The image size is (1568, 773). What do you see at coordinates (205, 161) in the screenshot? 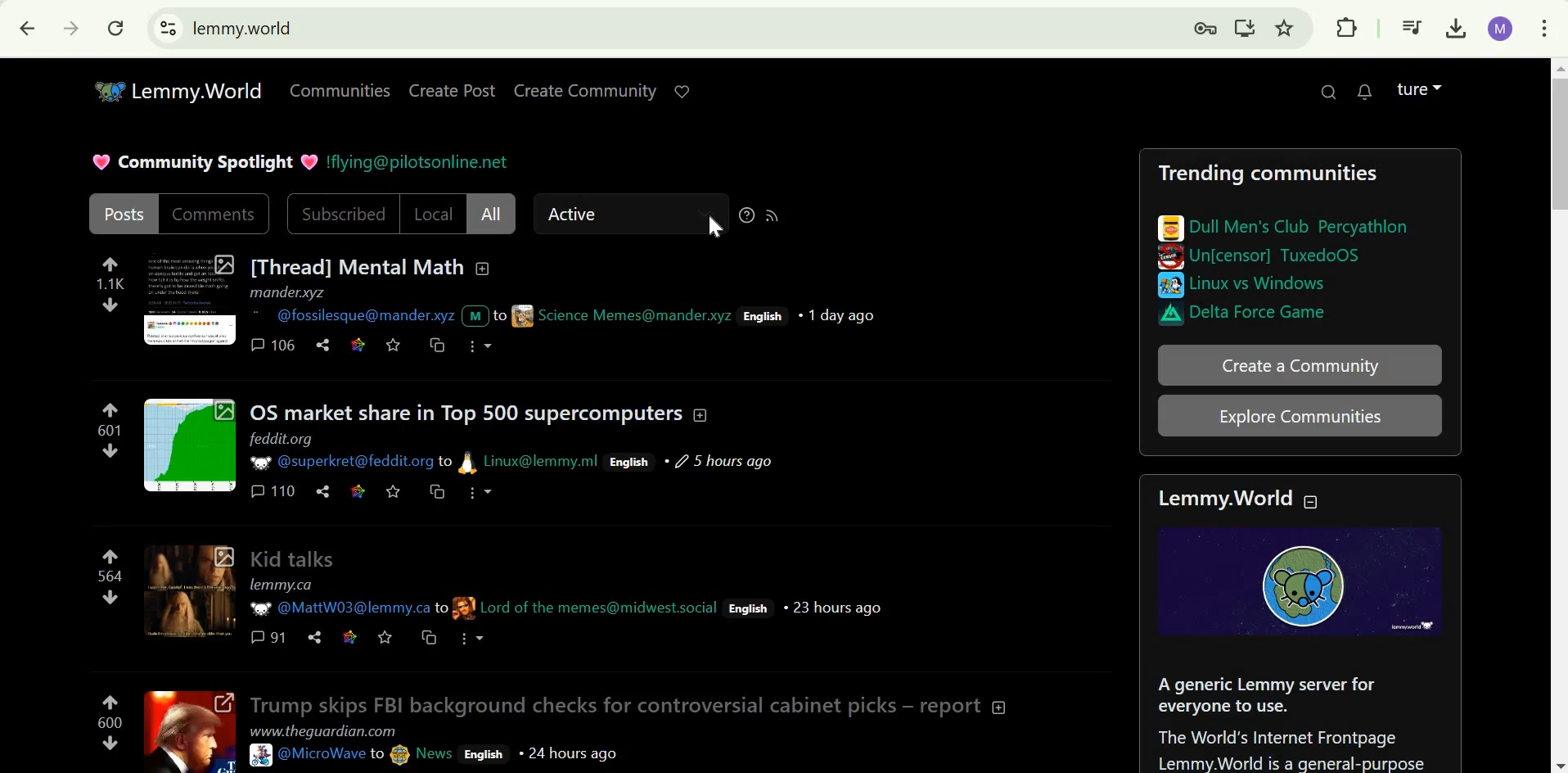
I see `Community Spotlight` at bounding box center [205, 161].